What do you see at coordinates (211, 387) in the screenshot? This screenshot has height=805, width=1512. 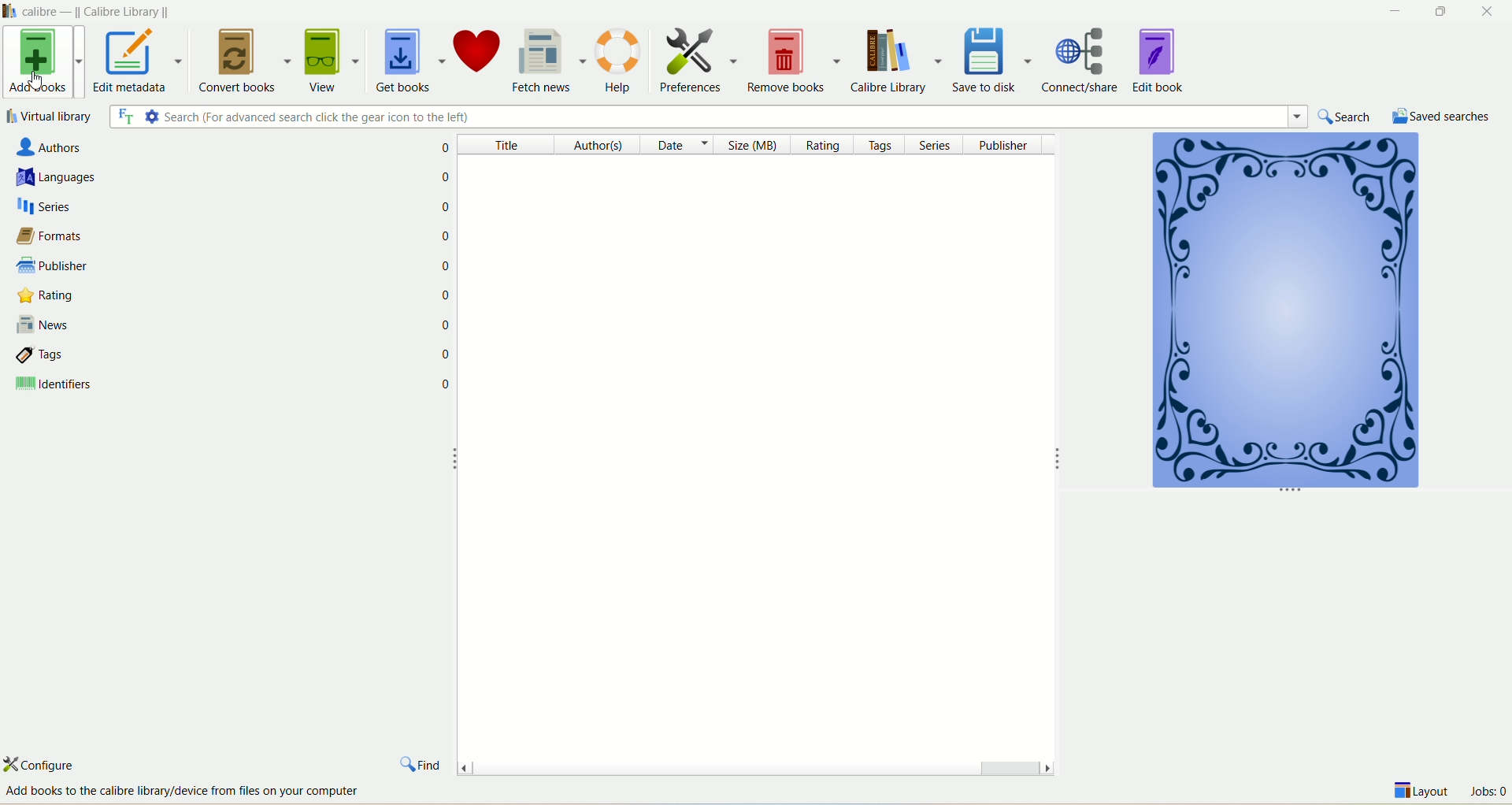 I see `identifiers` at bounding box center [211, 387].